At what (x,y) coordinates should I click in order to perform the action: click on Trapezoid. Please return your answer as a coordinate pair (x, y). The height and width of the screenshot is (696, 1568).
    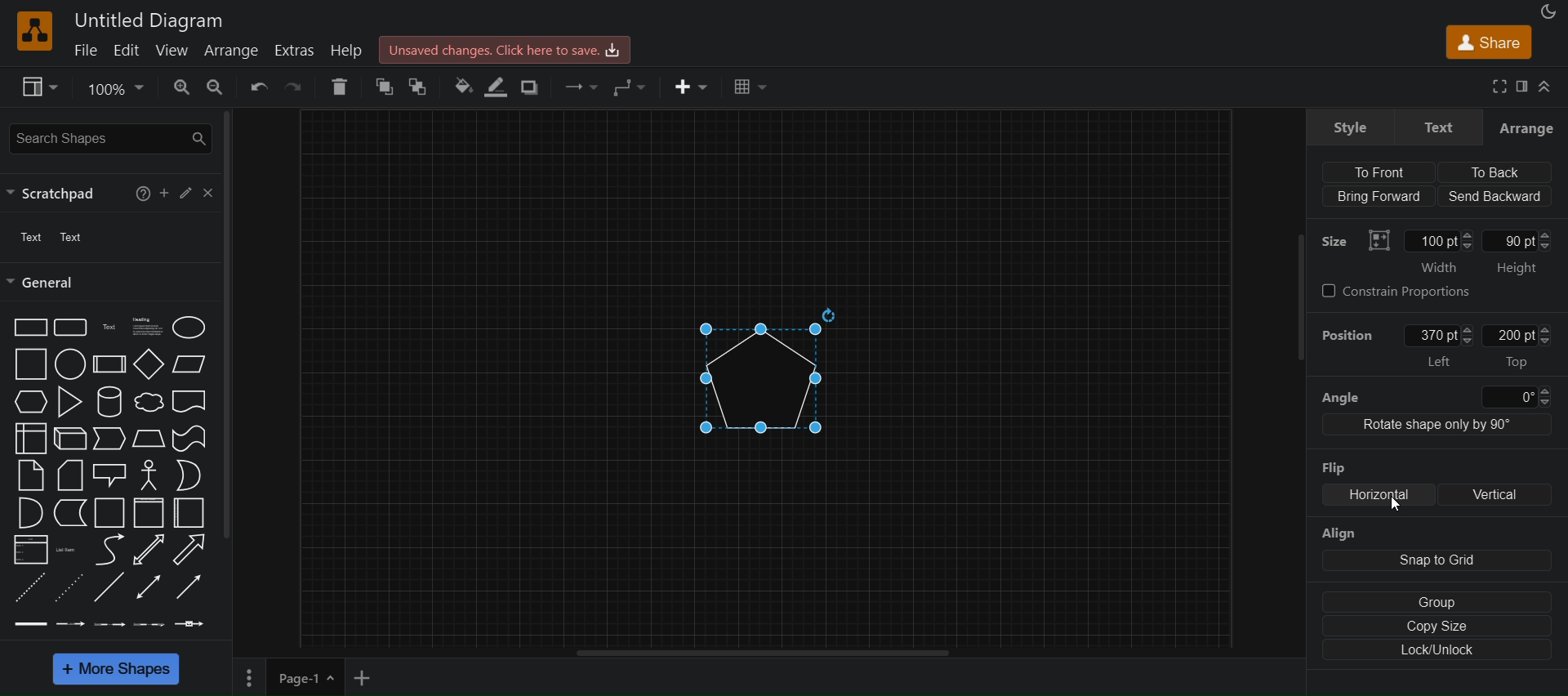
    Looking at the image, I should click on (149, 439).